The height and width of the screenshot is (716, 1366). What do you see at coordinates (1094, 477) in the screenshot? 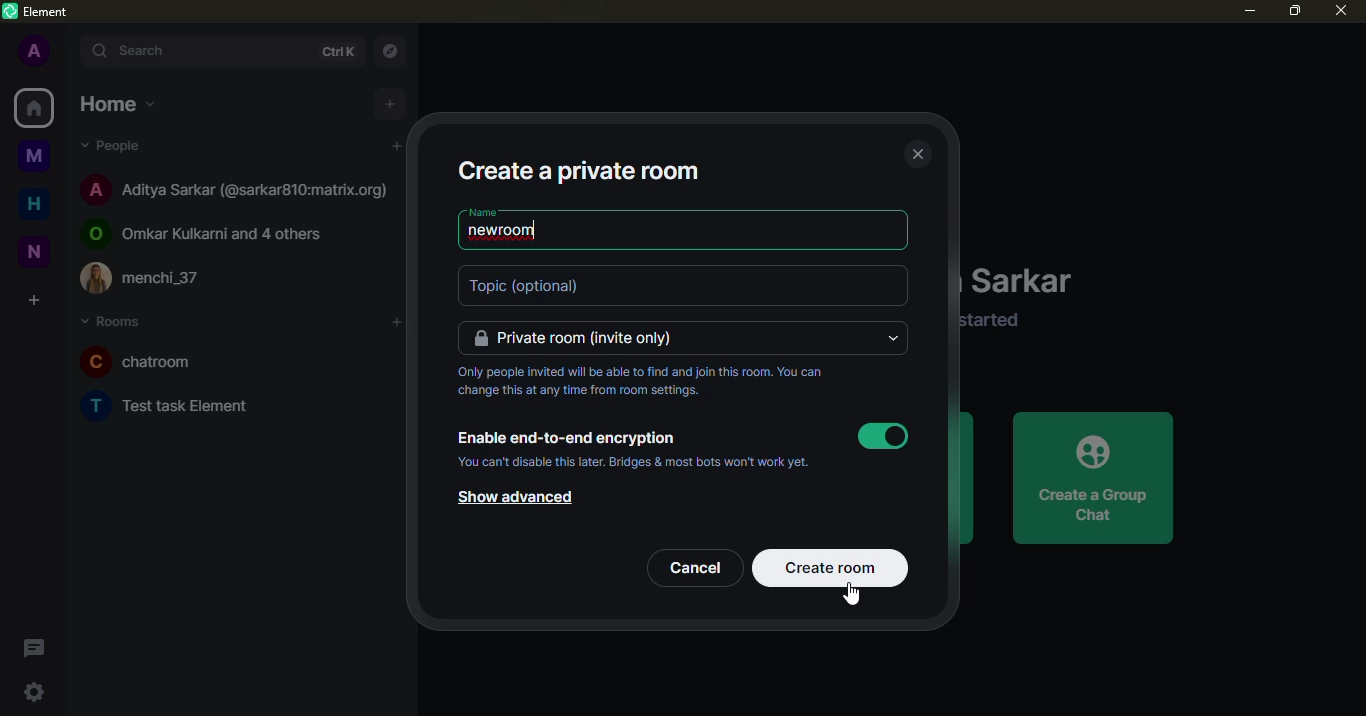
I see `create a group chat` at bounding box center [1094, 477].